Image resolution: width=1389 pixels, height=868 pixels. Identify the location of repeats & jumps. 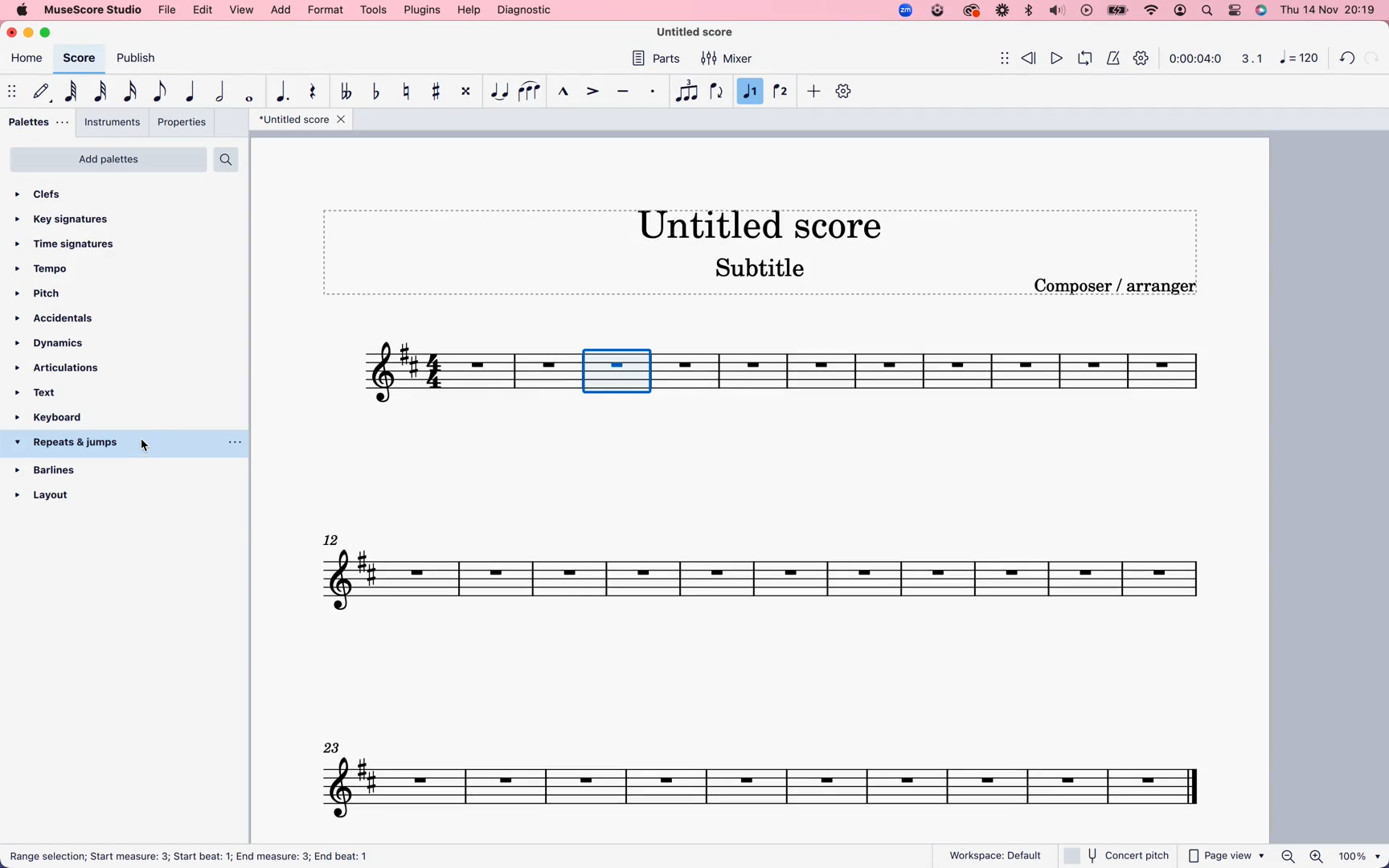
(76, 444).